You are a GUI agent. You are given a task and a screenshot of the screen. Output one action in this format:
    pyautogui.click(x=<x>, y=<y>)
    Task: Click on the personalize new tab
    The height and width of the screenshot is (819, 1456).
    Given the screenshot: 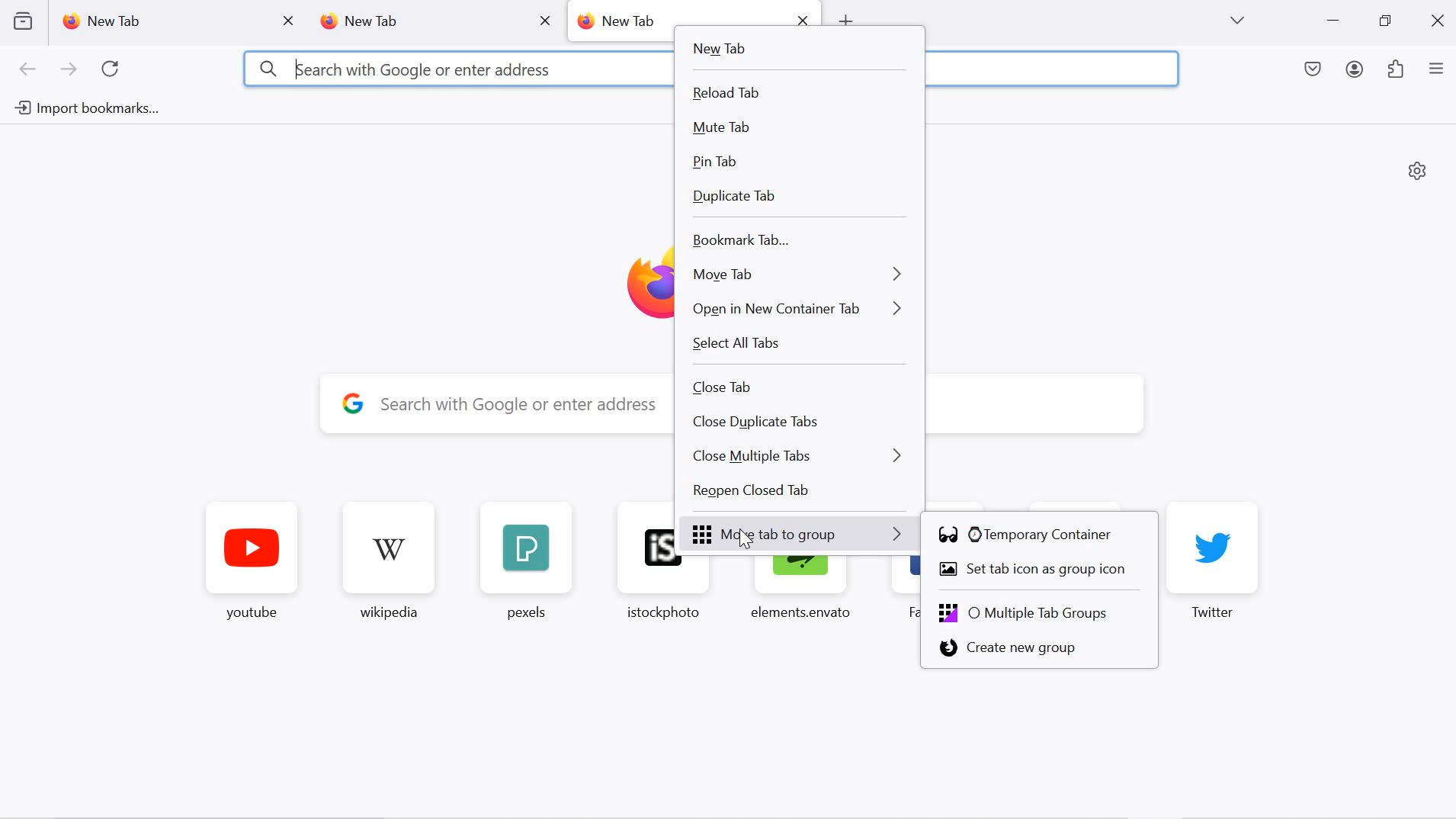 What is the action you would take?
    pyautogui.click(x=1418, y=170)
    